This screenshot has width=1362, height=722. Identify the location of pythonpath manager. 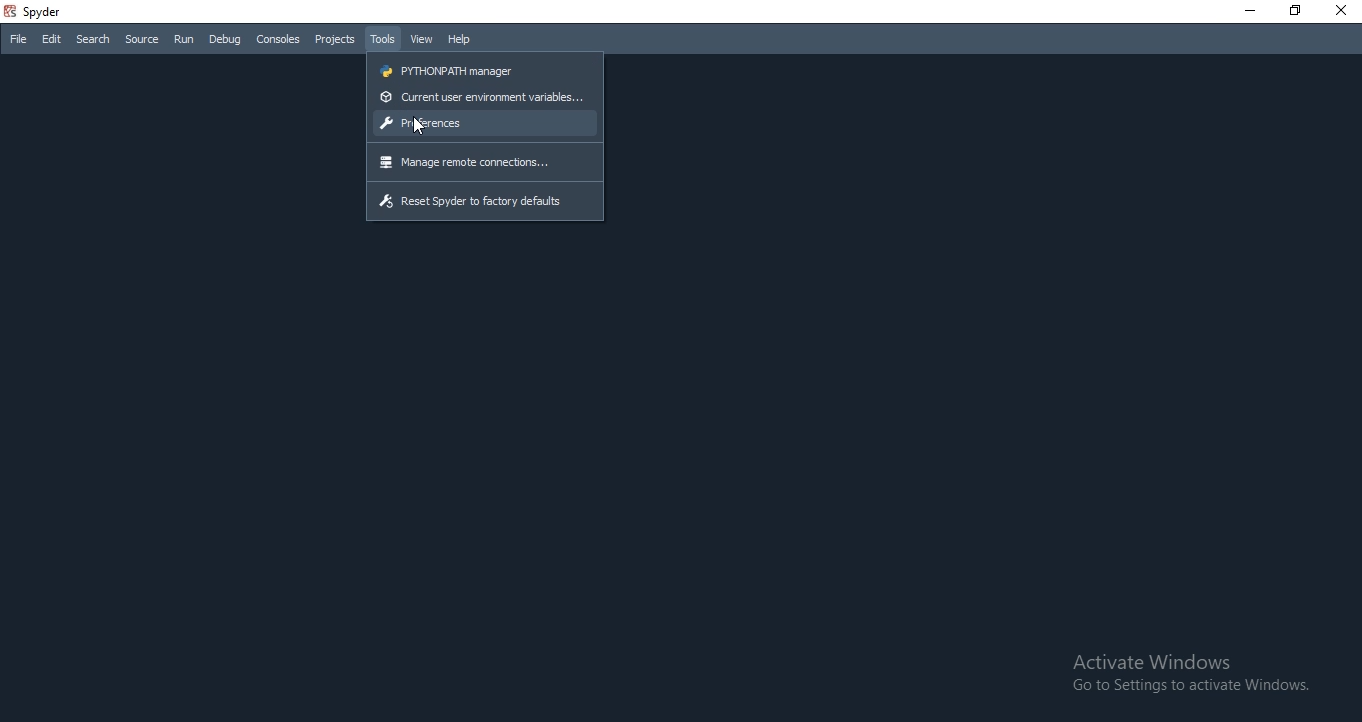
(482, 69).